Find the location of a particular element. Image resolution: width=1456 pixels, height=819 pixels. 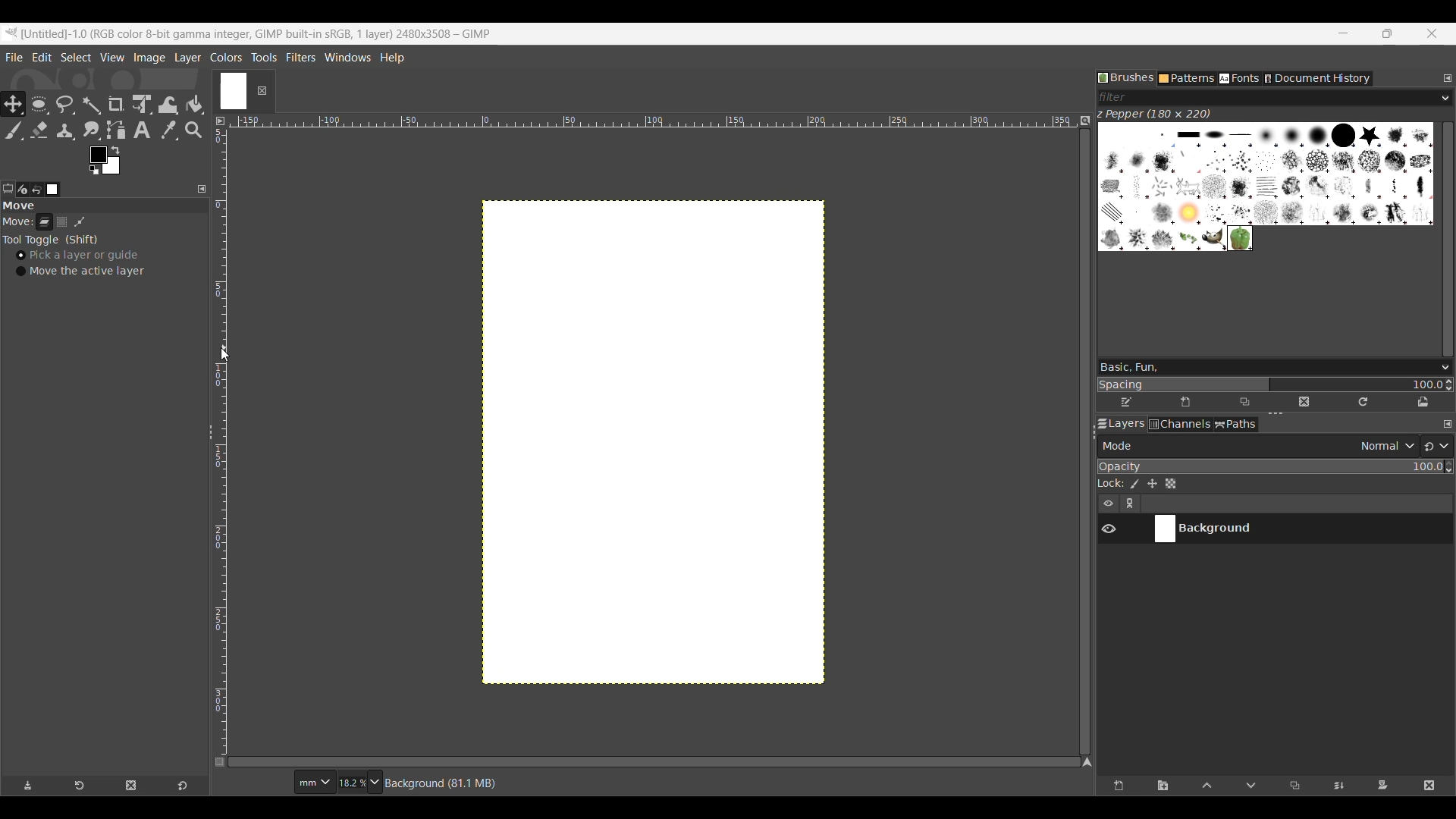

Smudge tool is located at coordinates (91, 130).